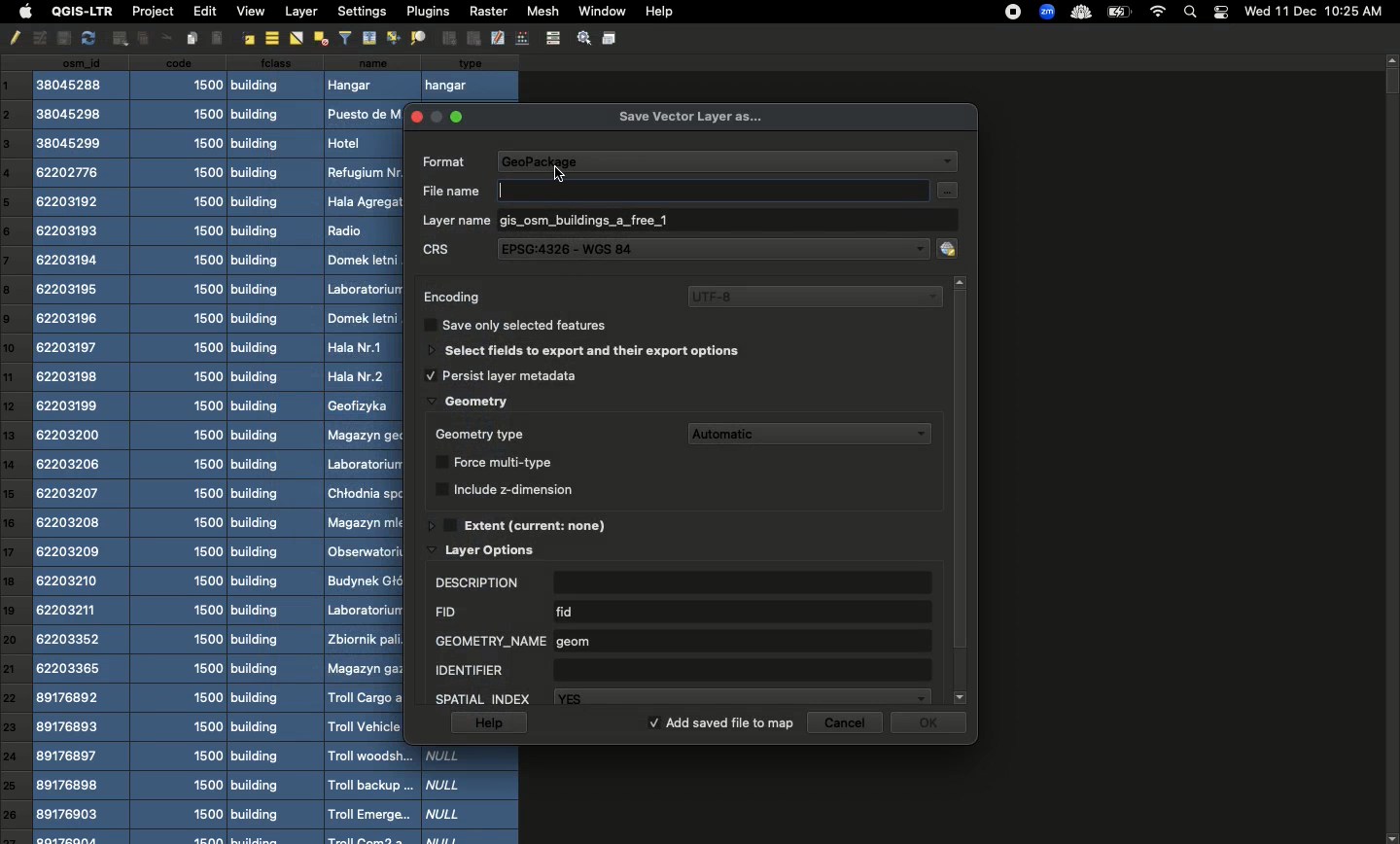 This screenshot has width=1400, height=844. Describe the element at coordinates (301, 12) in the screenshot. I see `Layer` at that location.